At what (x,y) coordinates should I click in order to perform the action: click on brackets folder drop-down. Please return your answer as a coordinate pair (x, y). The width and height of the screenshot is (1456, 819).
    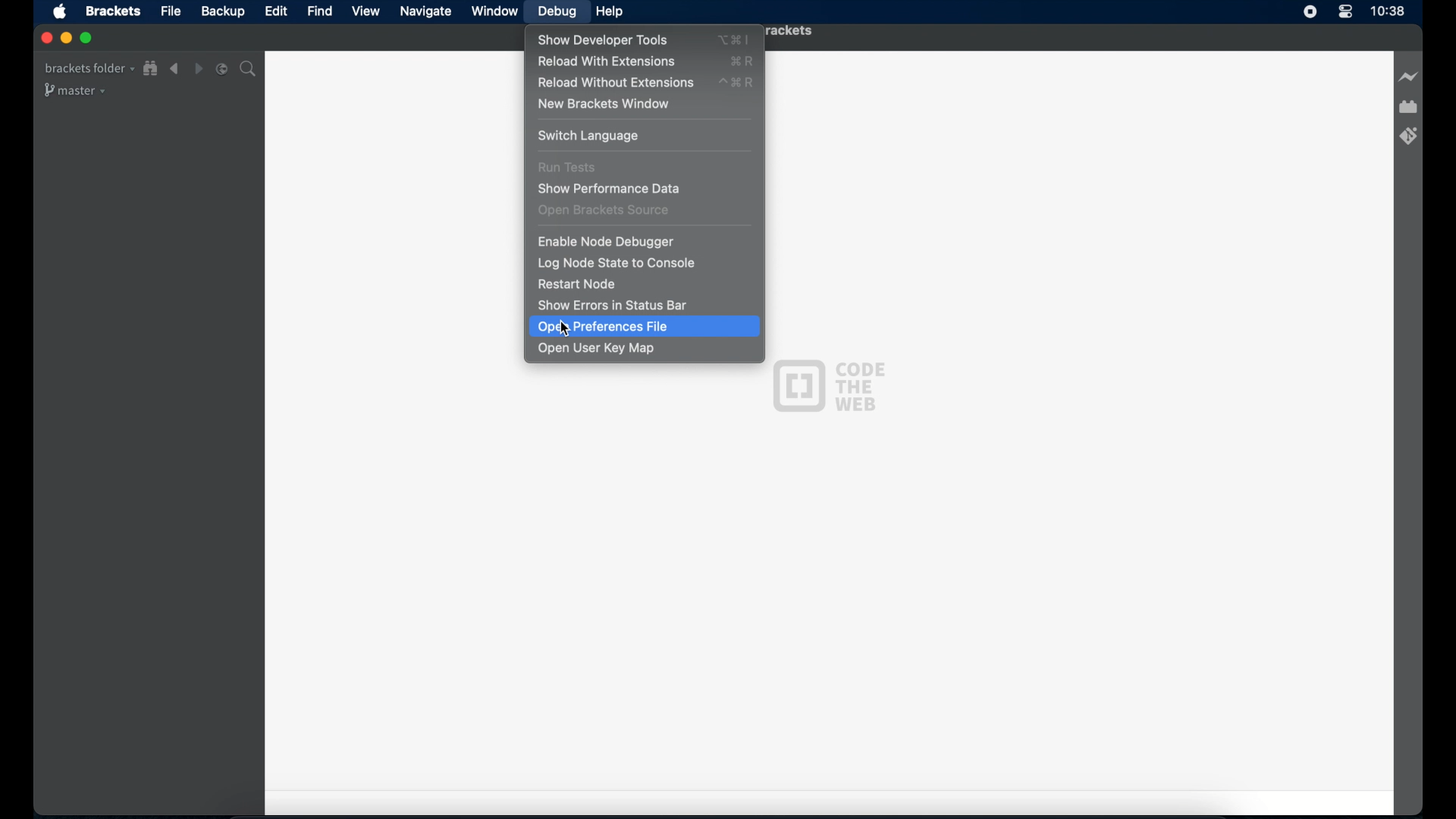
    Looking at the image, I should click on (89, 68).